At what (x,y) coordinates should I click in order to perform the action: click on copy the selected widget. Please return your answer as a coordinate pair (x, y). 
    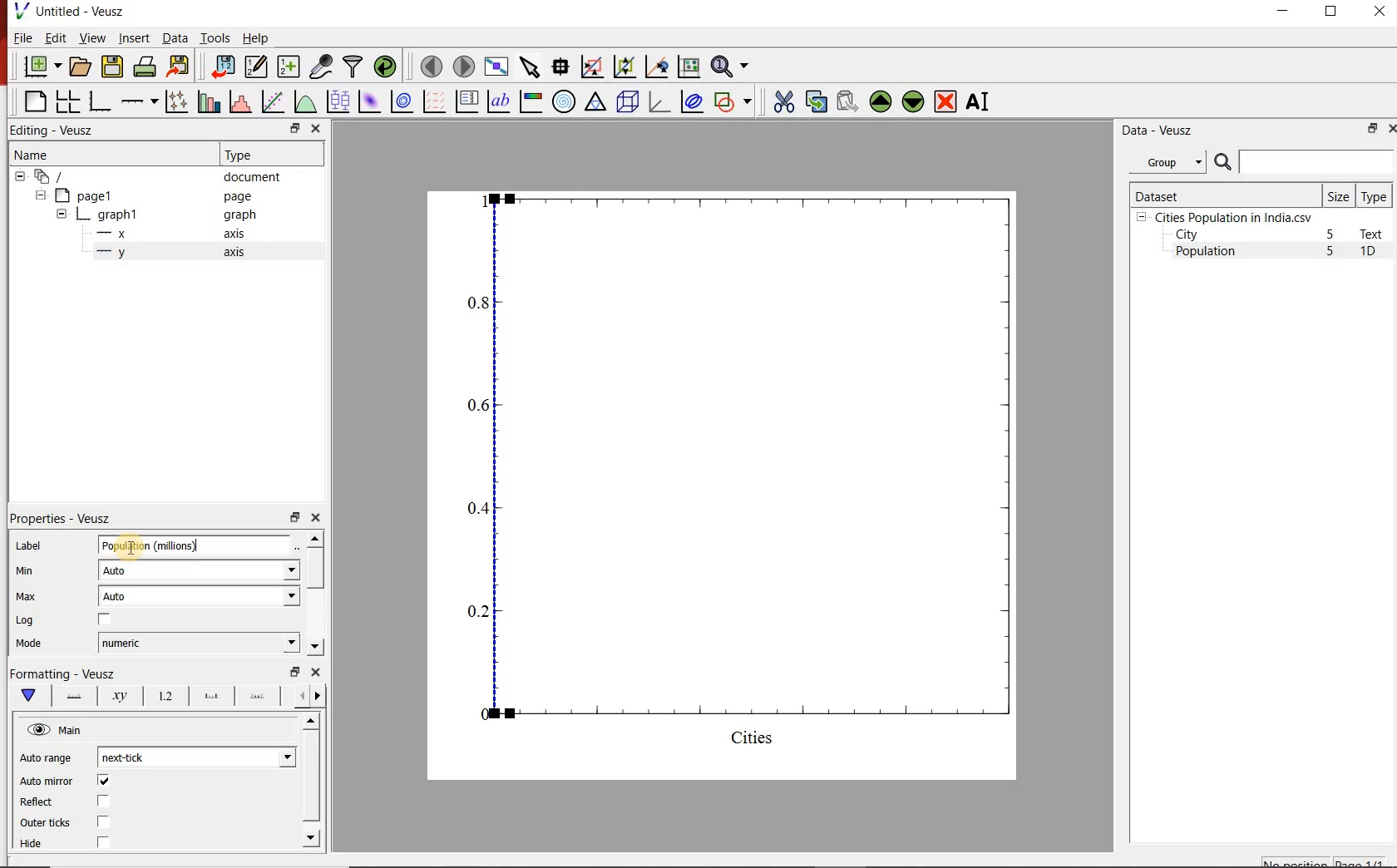
    Looking at the image, I should click on (815, 100).